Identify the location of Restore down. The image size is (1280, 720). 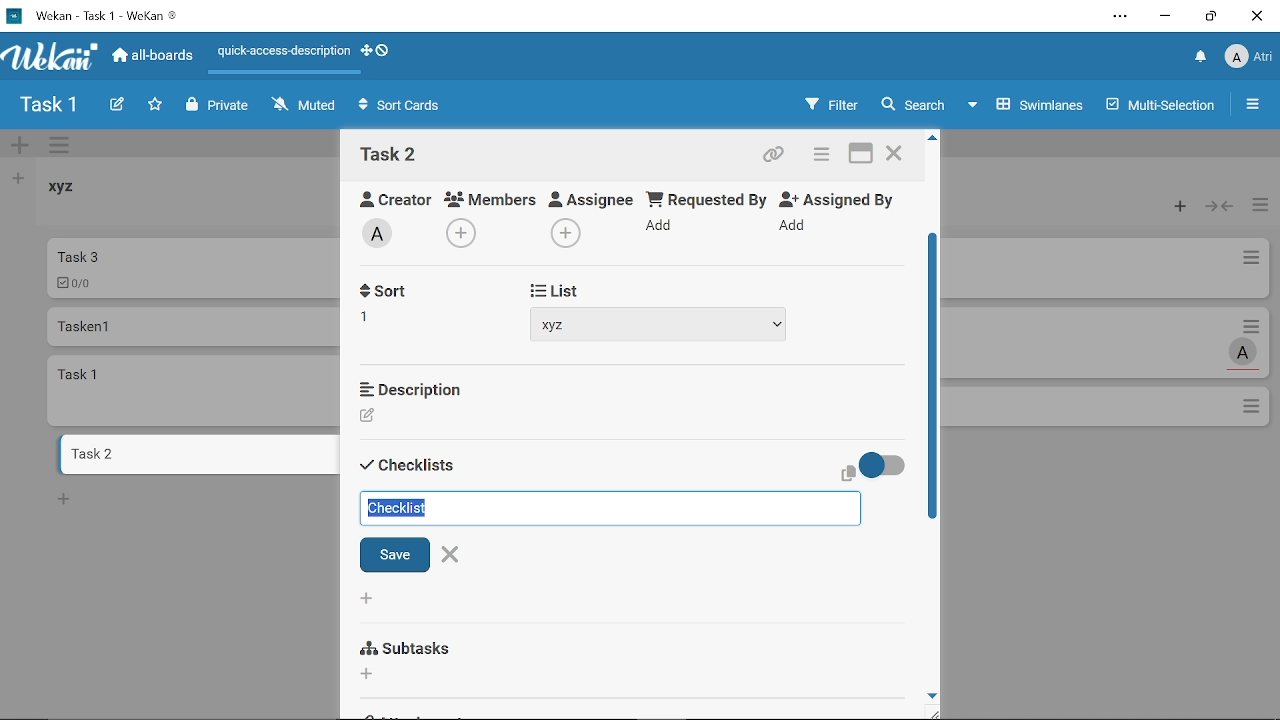
(1211, 16).